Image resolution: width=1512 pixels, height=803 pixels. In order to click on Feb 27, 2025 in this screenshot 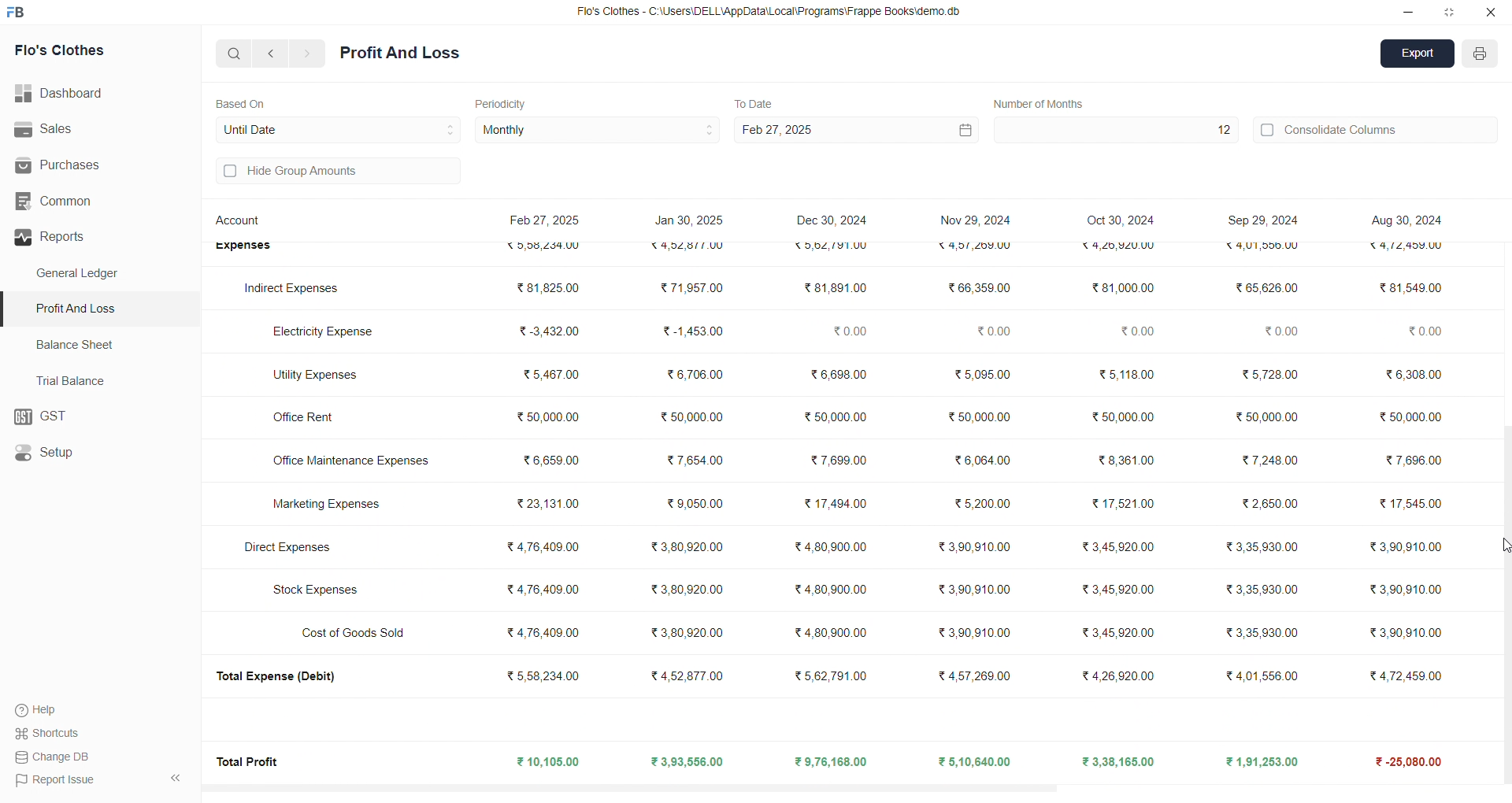, I will do `click(854, 130)`.